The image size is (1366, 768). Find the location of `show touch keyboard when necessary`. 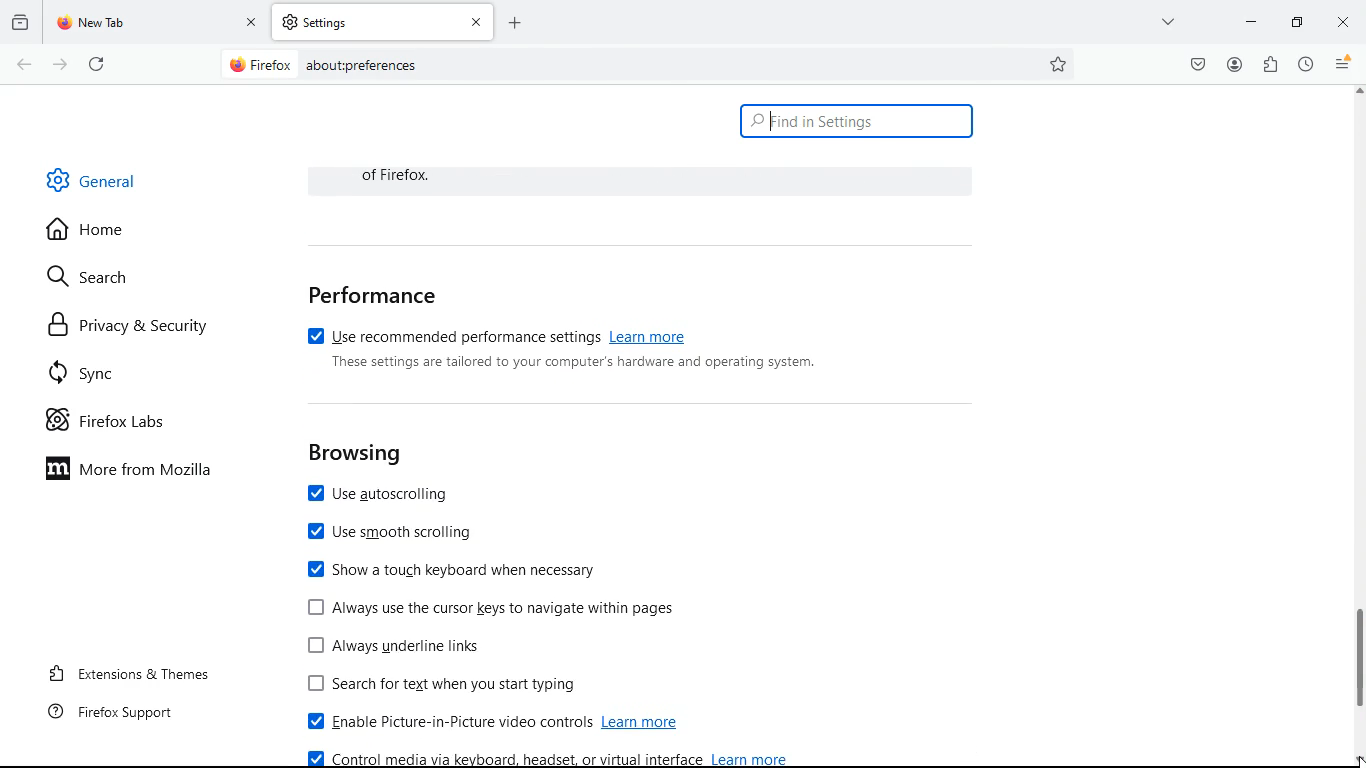

show touch keyboard when necessary is located at coordinates (453, 569).